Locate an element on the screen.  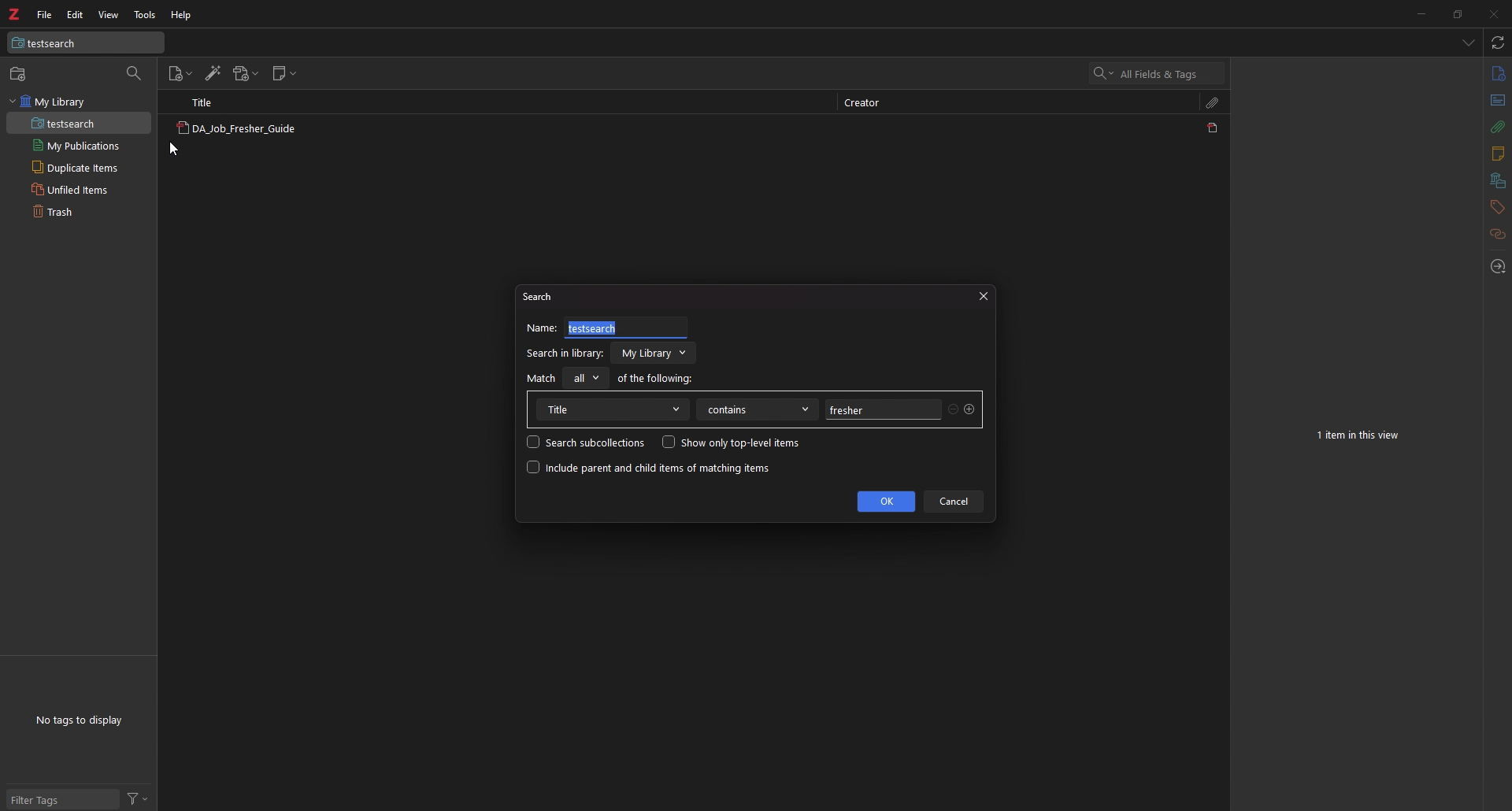
file is located at coordinates (46, 14).